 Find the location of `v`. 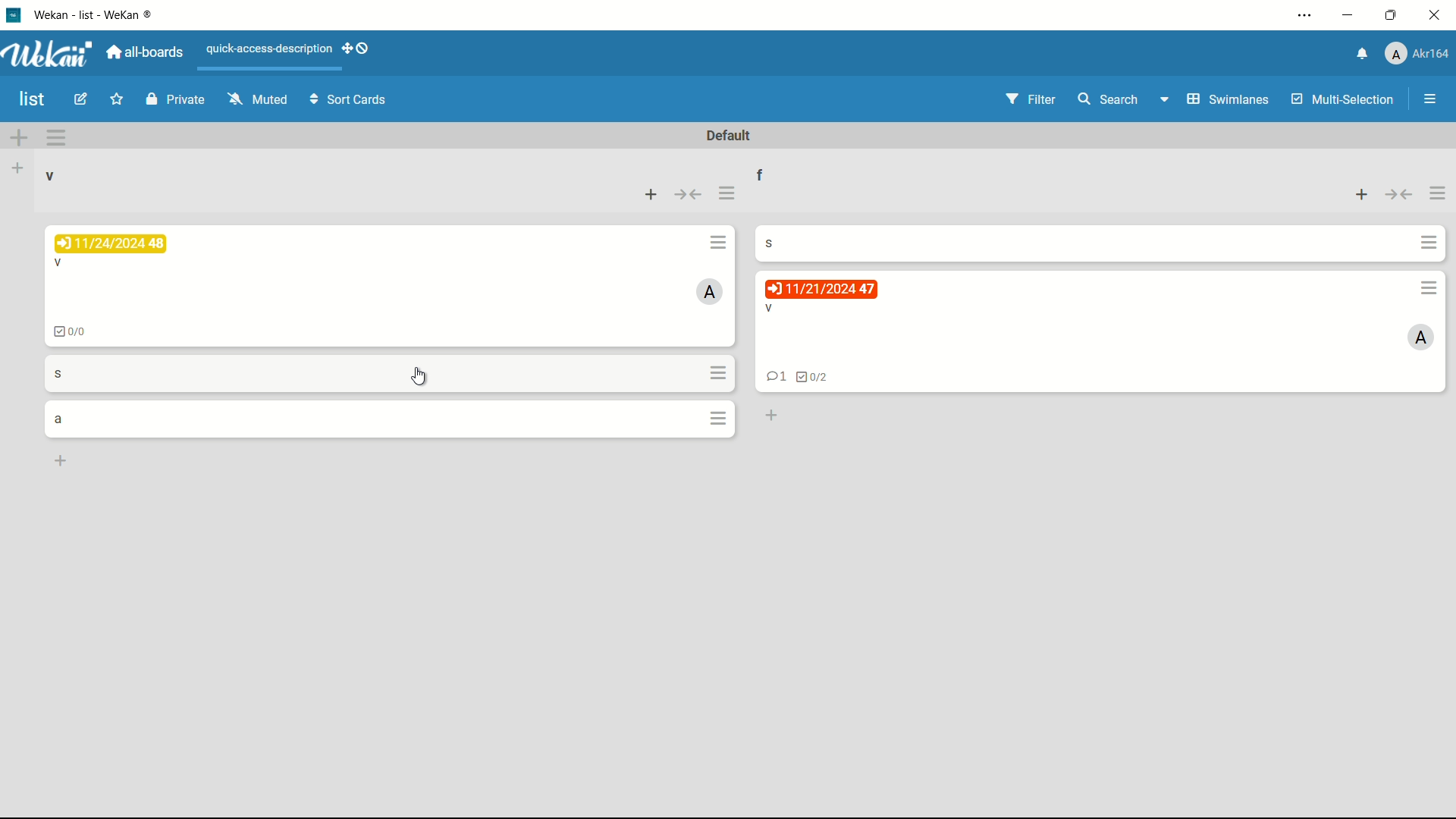

v is located at coordinates (61, 263).